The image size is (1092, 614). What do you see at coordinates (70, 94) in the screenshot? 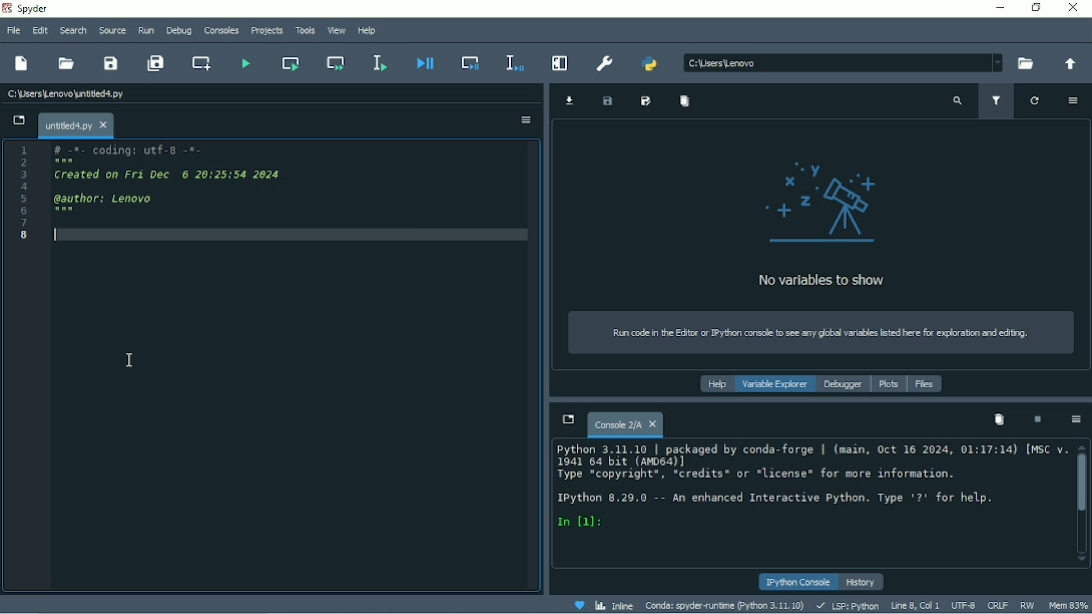
I see `file name` at bounding box center [70, 94].